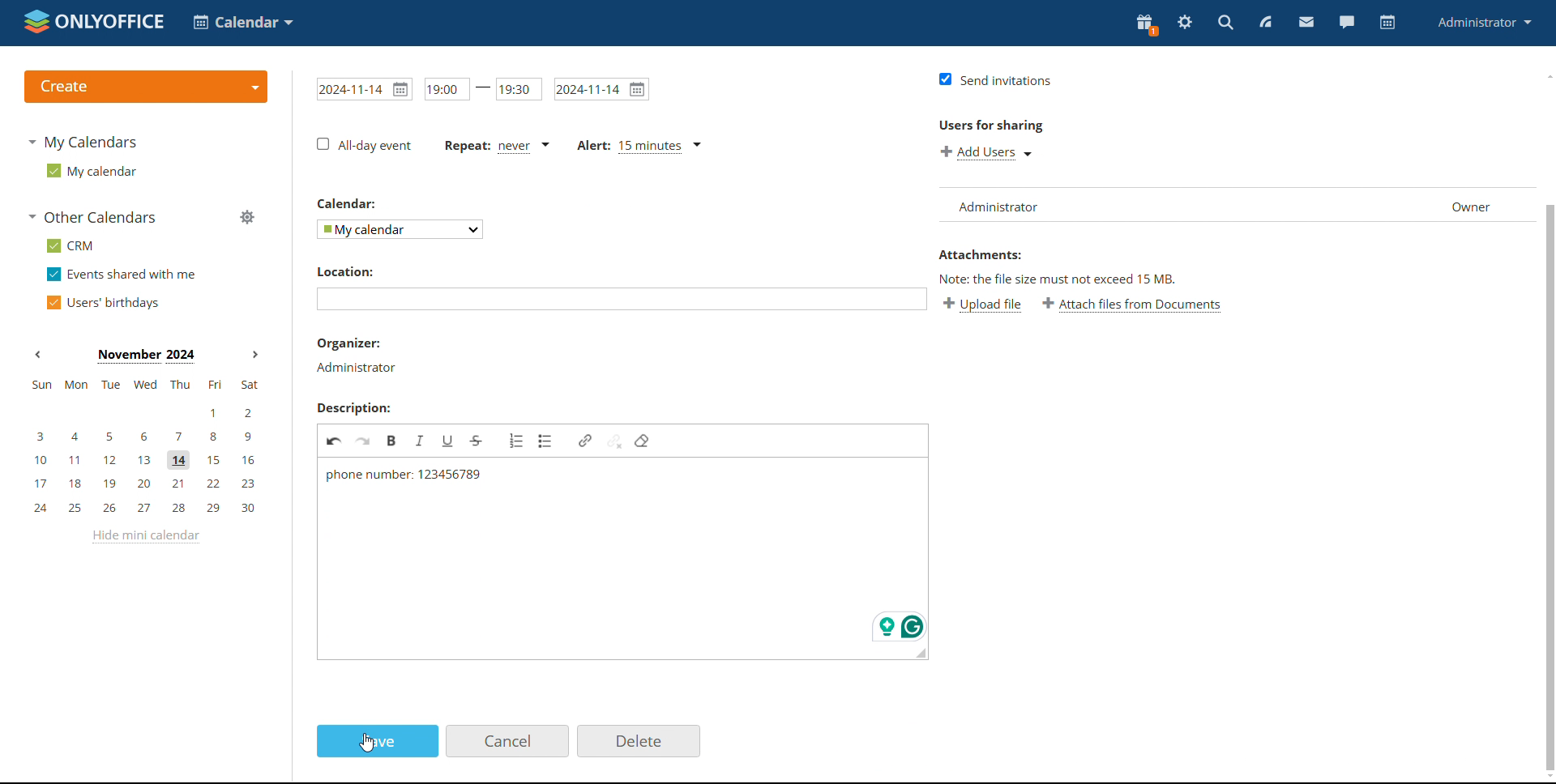  What do you see at coordinates (616, 440) in the screenshot?
I see `unlink` at bounding box center [616, 440].